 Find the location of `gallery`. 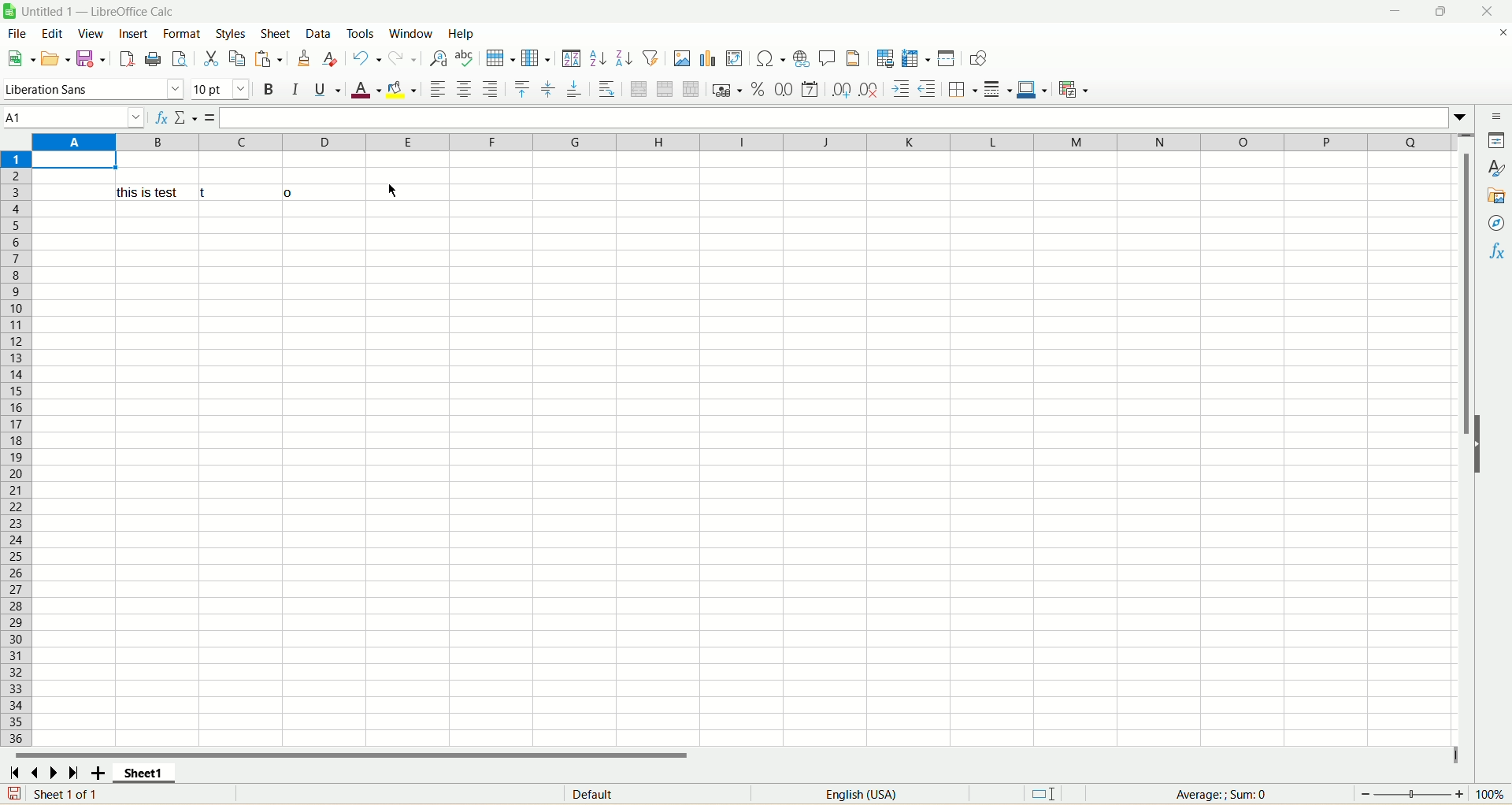

gallery is located at coordinates (1495, 196).